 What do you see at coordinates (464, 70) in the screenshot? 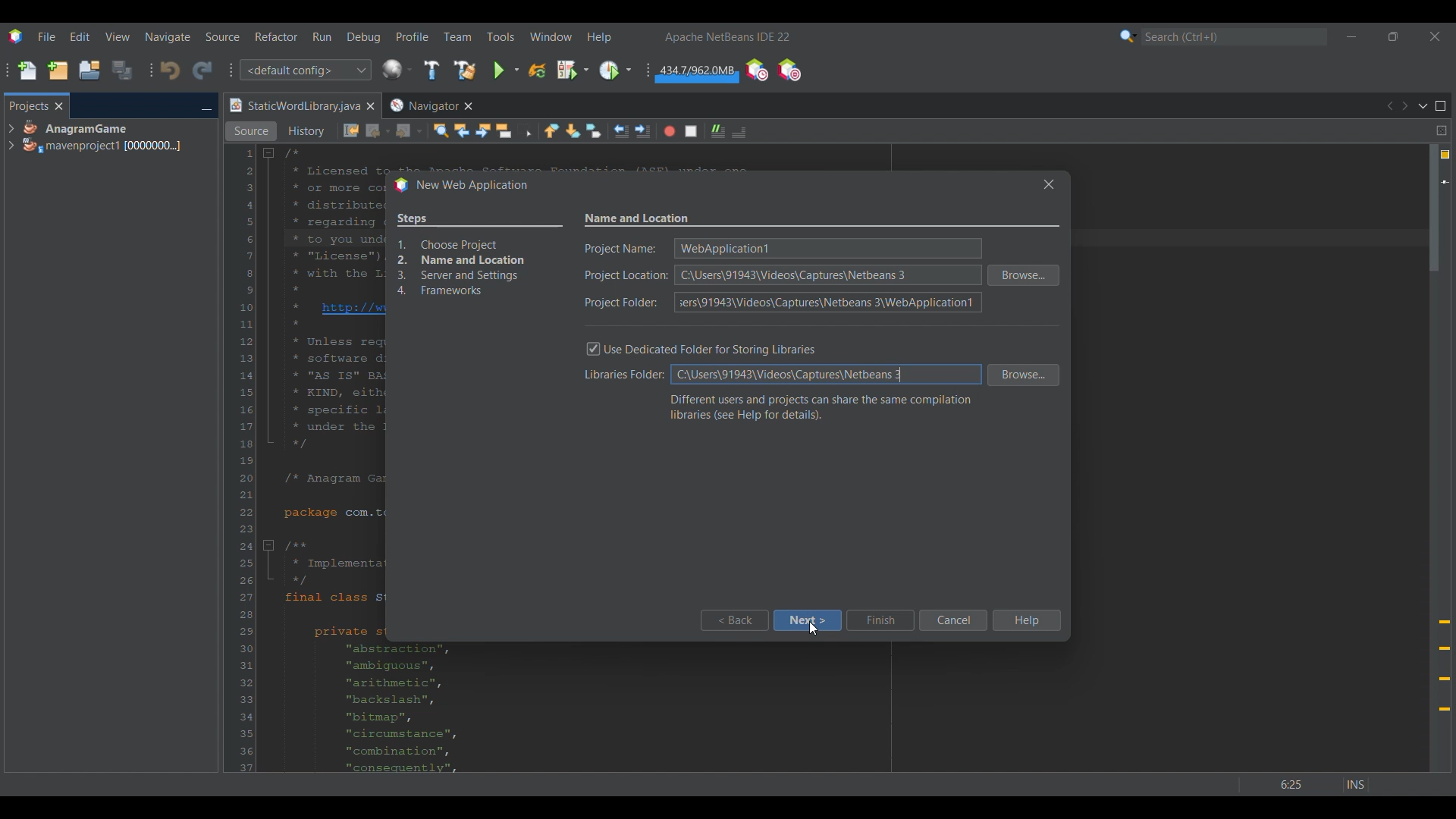
I see `Clean and build main project` at bounding box center [464, 70].